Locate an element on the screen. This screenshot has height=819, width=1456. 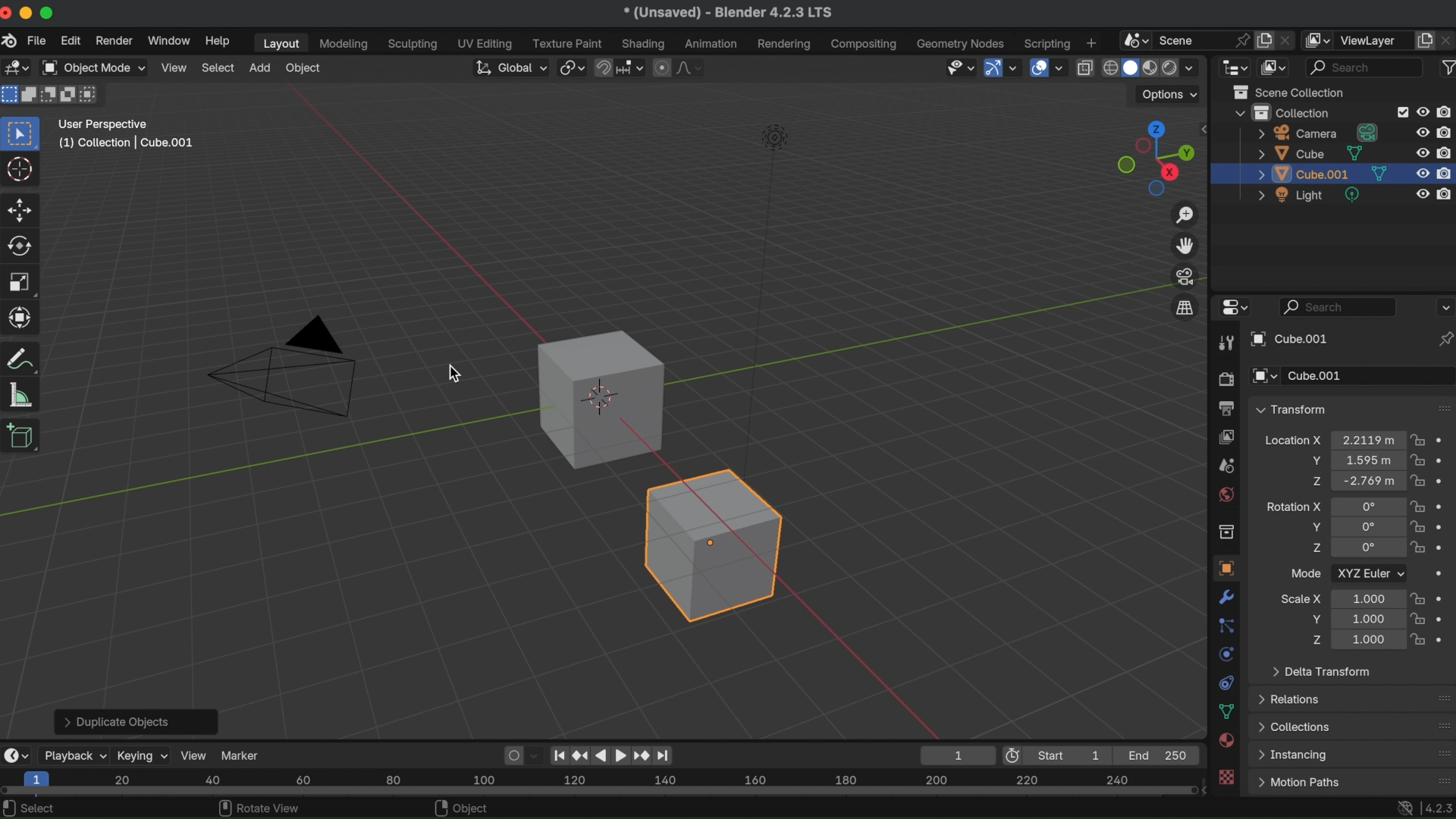
modelling is located at coordinates (344, 45).